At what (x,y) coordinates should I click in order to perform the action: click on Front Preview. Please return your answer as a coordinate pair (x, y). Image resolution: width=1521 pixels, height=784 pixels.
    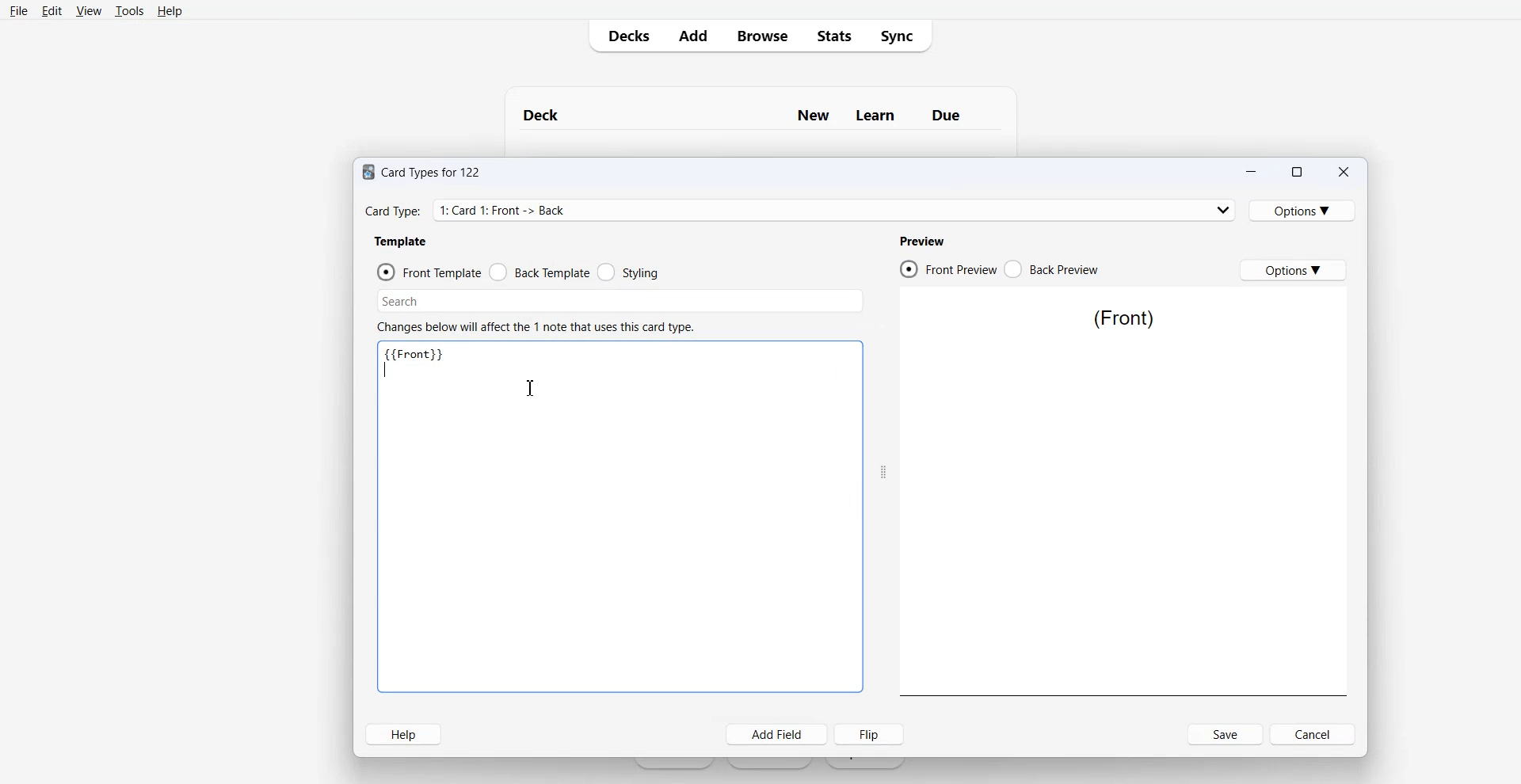
    Looking at the image, I should click on (947, 268).